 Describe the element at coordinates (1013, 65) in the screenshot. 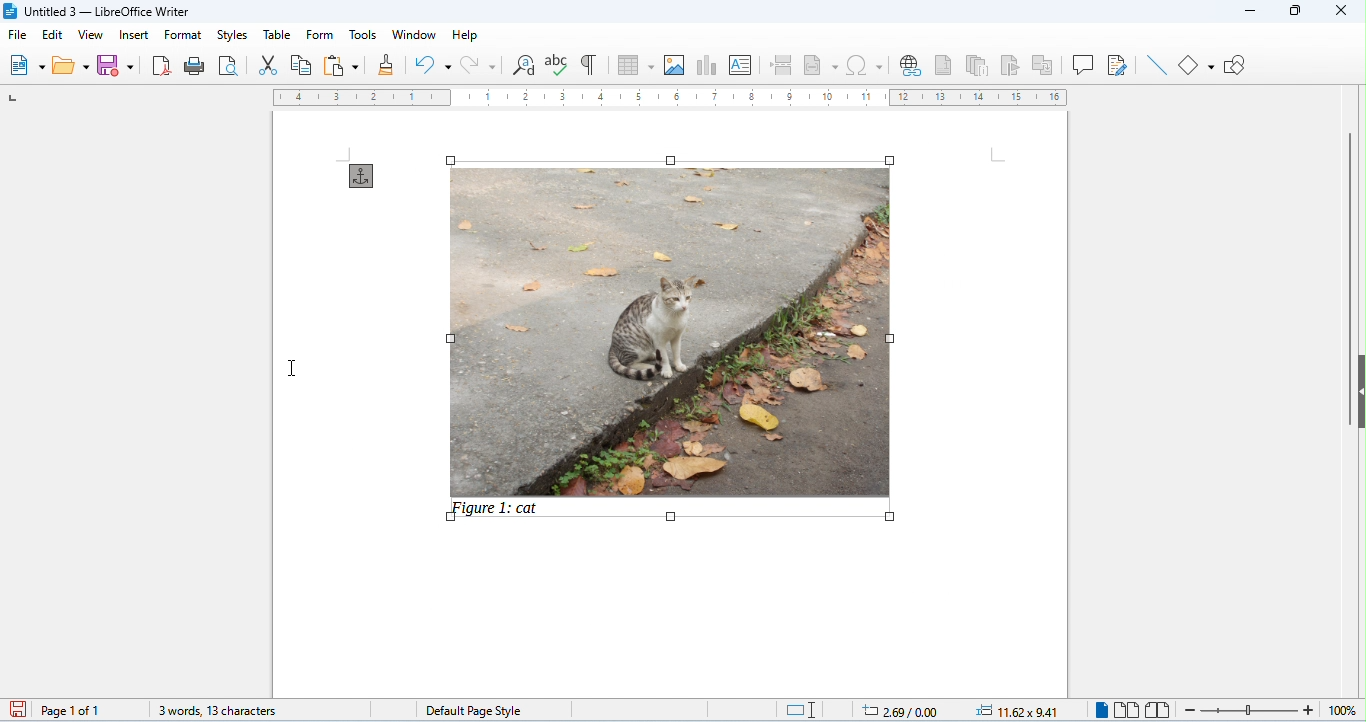

I see `insert bookmark` at that location.